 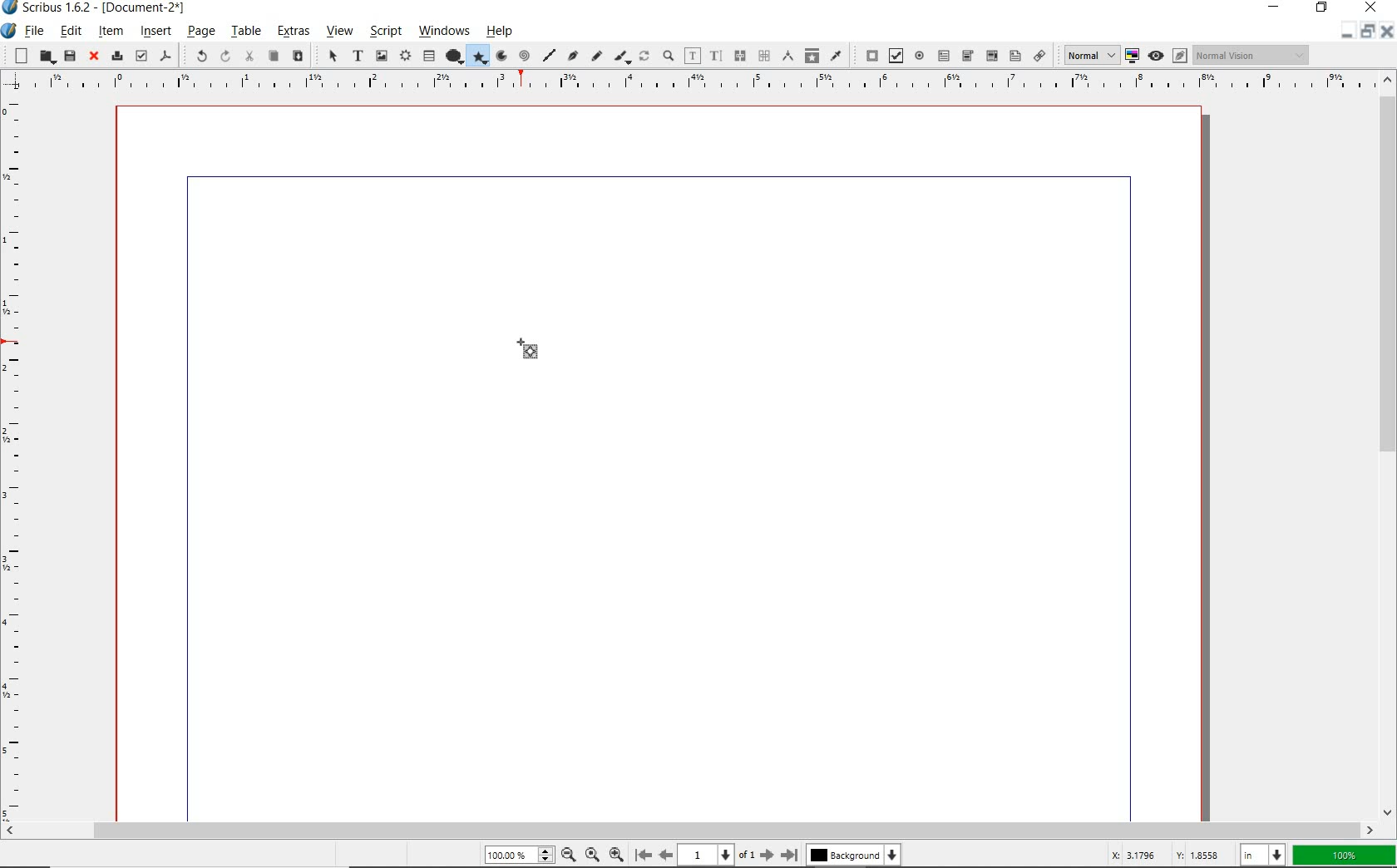 I want to click on insert, so click(x=155, y=31).